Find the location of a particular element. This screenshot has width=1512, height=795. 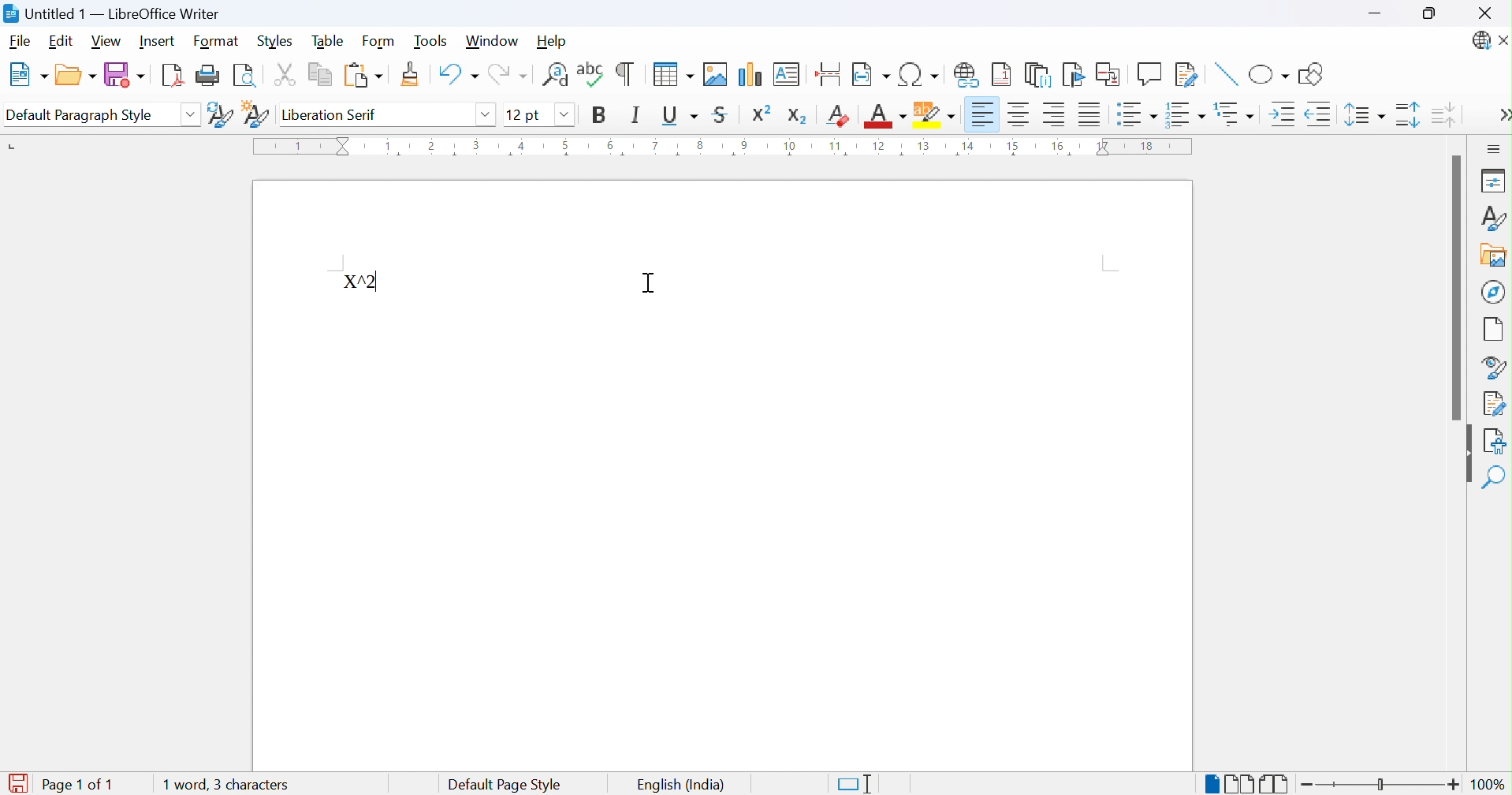

Untitled 1 - LibreOffice Writer is located at coordinates (114, 13).